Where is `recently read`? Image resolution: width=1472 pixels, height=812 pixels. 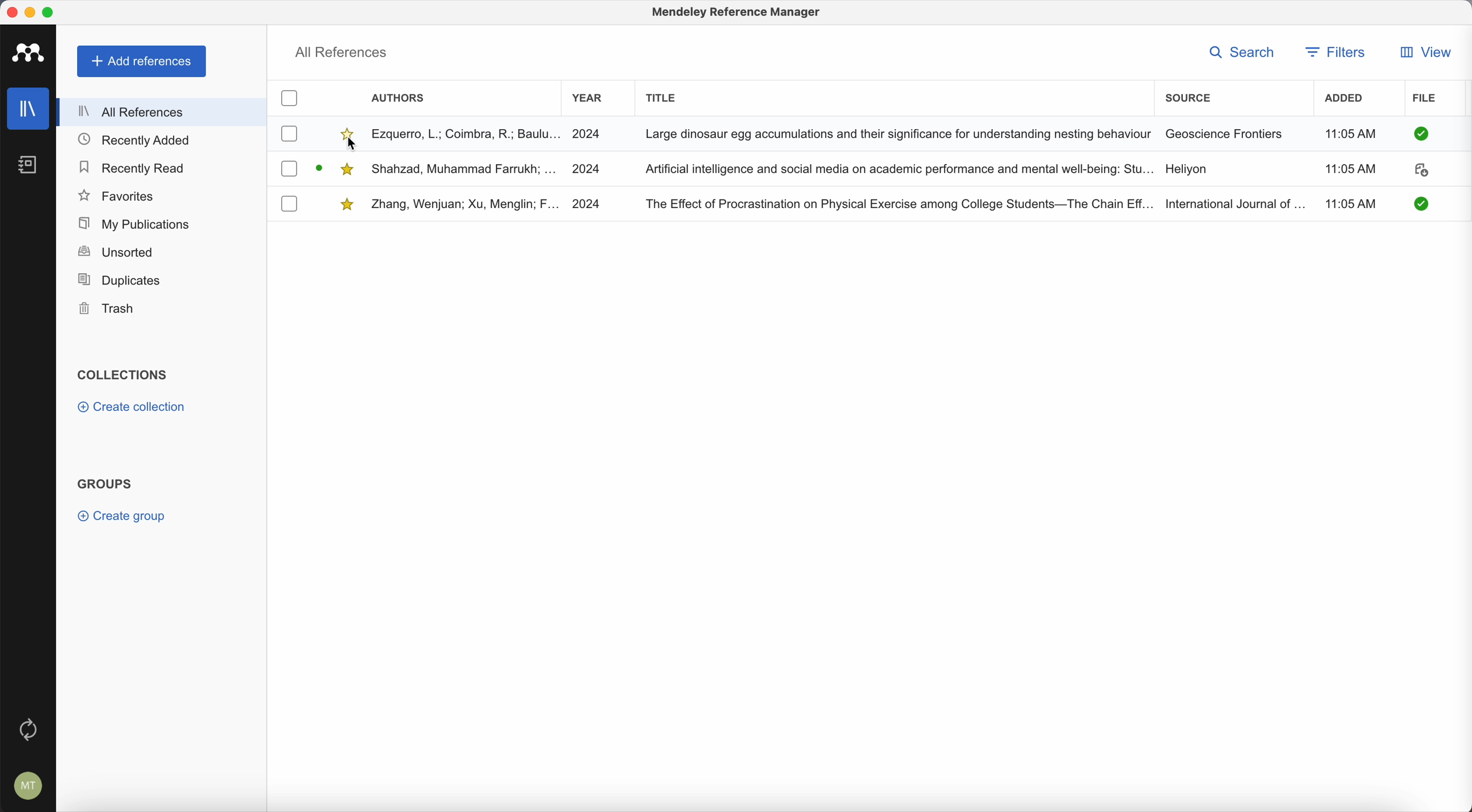 recently read is located at coordinates (134, 169).